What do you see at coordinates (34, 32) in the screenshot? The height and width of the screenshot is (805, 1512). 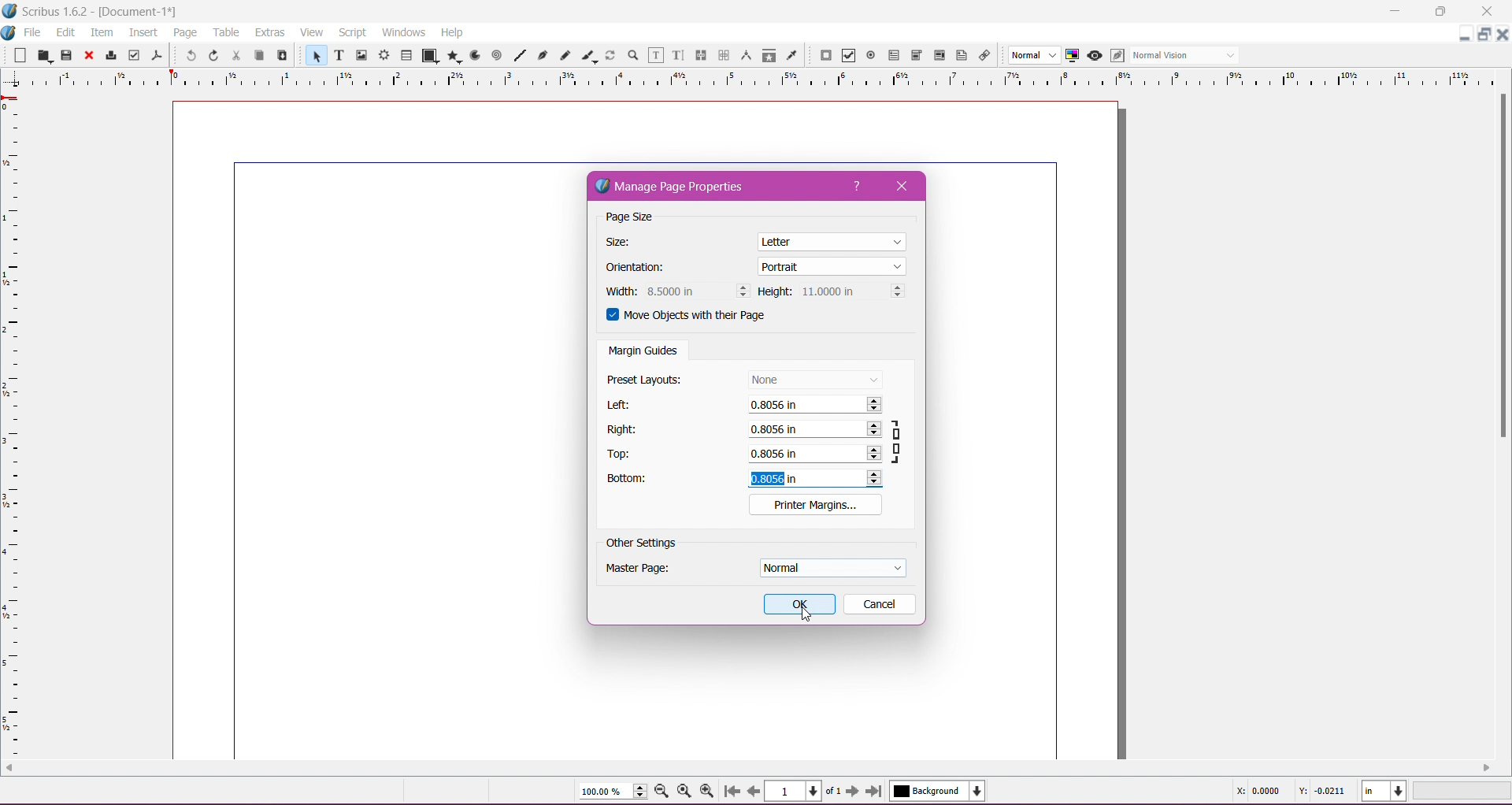 I see `File` at bounding box center [34, 32].